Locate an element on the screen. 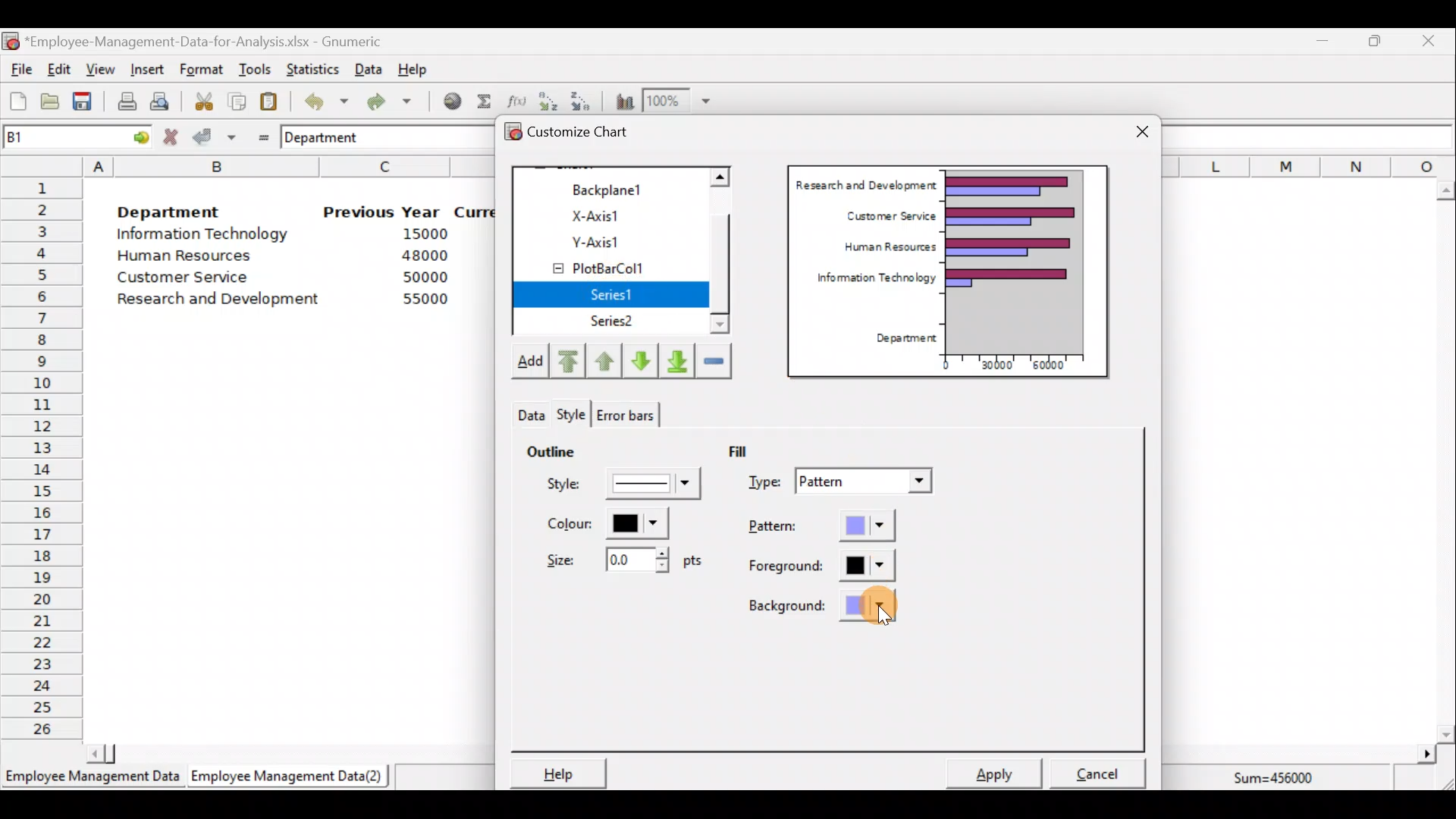  Apply is located at coordinates (1001, 772).